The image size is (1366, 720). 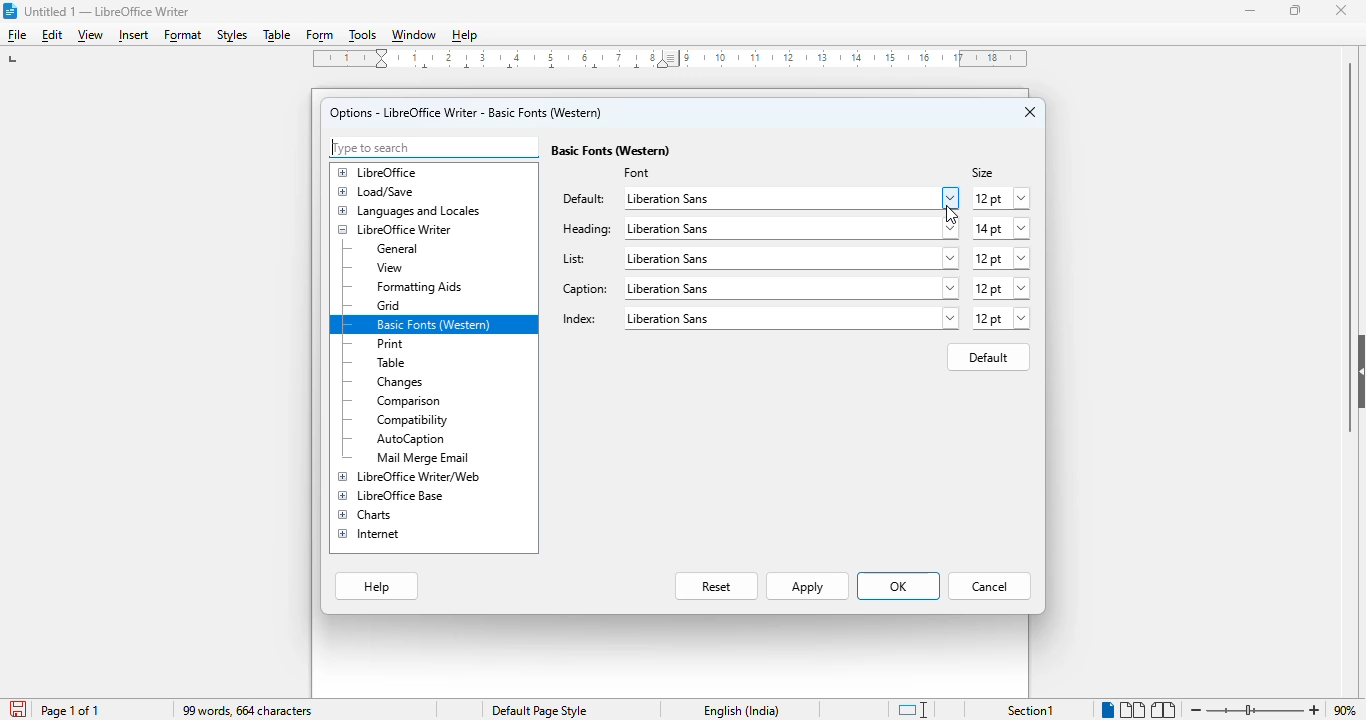 I want to click on table, so click(x=276, y=35).